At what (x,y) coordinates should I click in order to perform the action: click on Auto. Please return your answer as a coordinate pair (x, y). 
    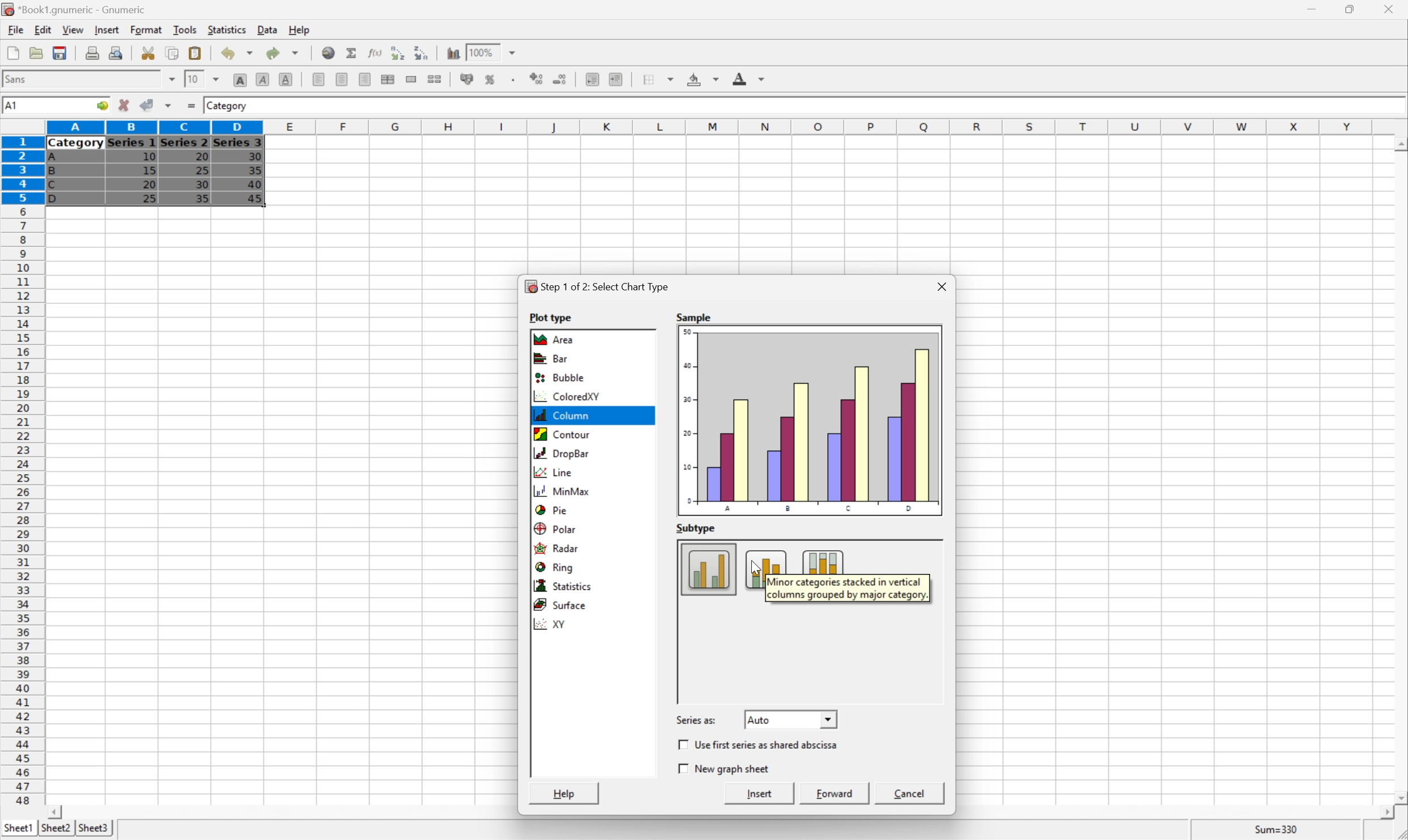
    Looking at the image, I should click on (767, 719).